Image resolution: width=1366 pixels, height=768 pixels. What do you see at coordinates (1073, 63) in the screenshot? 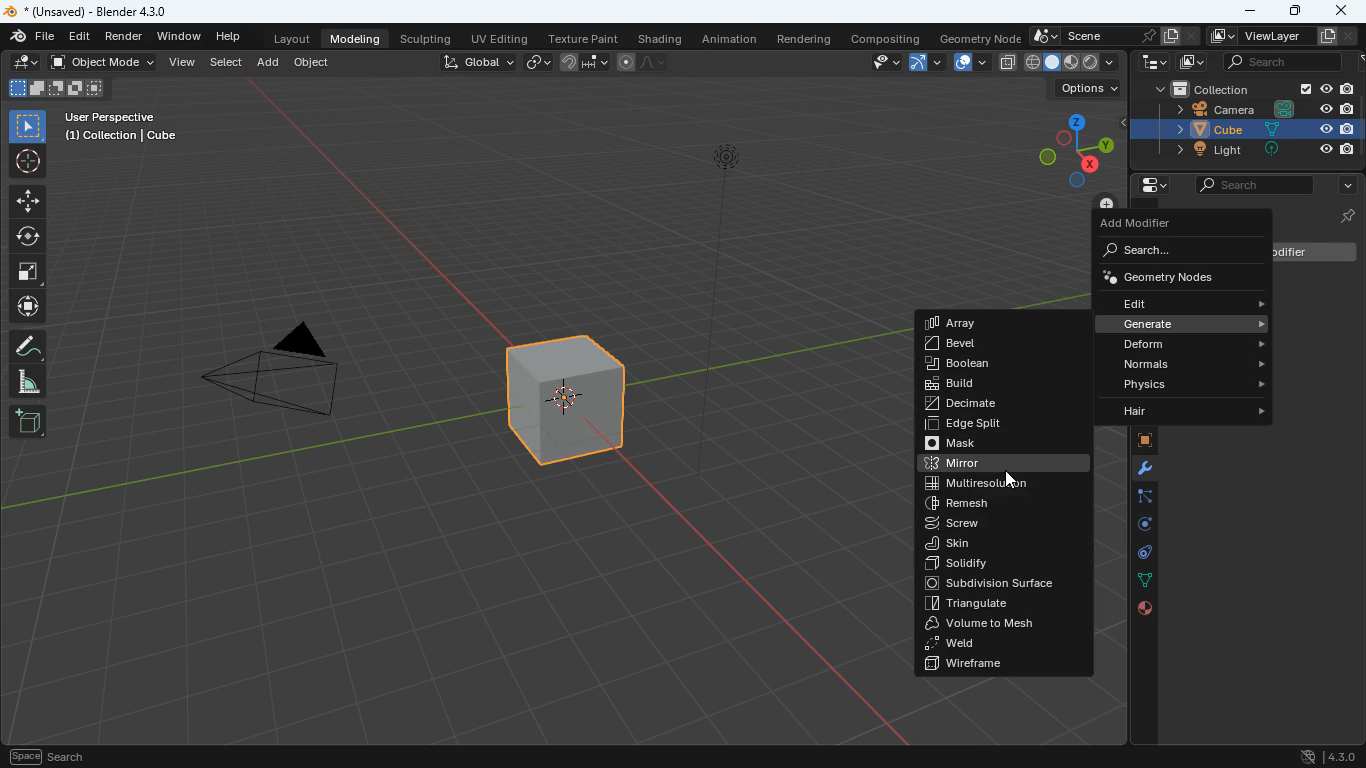
I see `image type` at bounding box center [1073, 63].